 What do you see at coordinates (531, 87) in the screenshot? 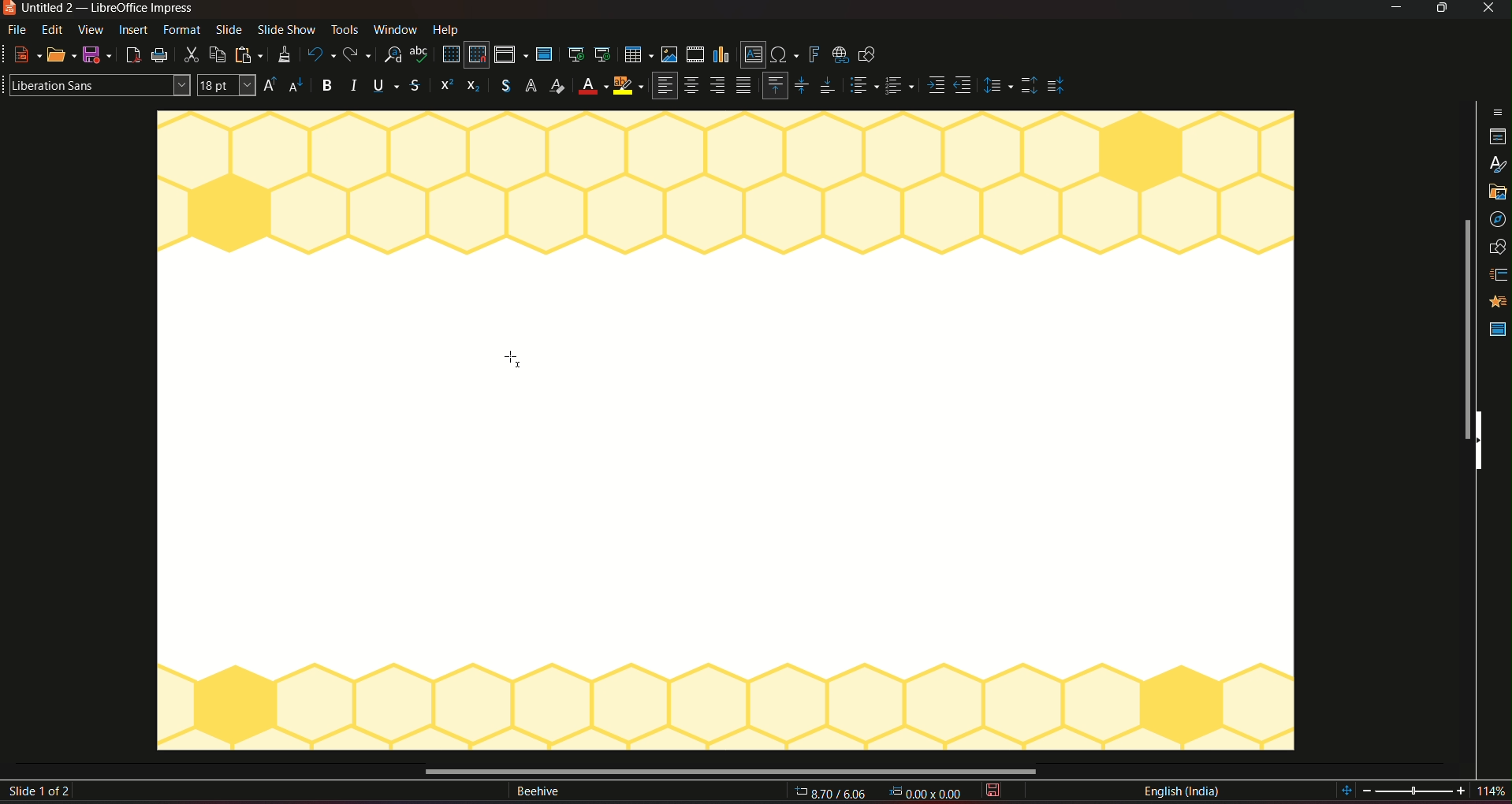
I see `font styles` at bounding box center [531, 87].